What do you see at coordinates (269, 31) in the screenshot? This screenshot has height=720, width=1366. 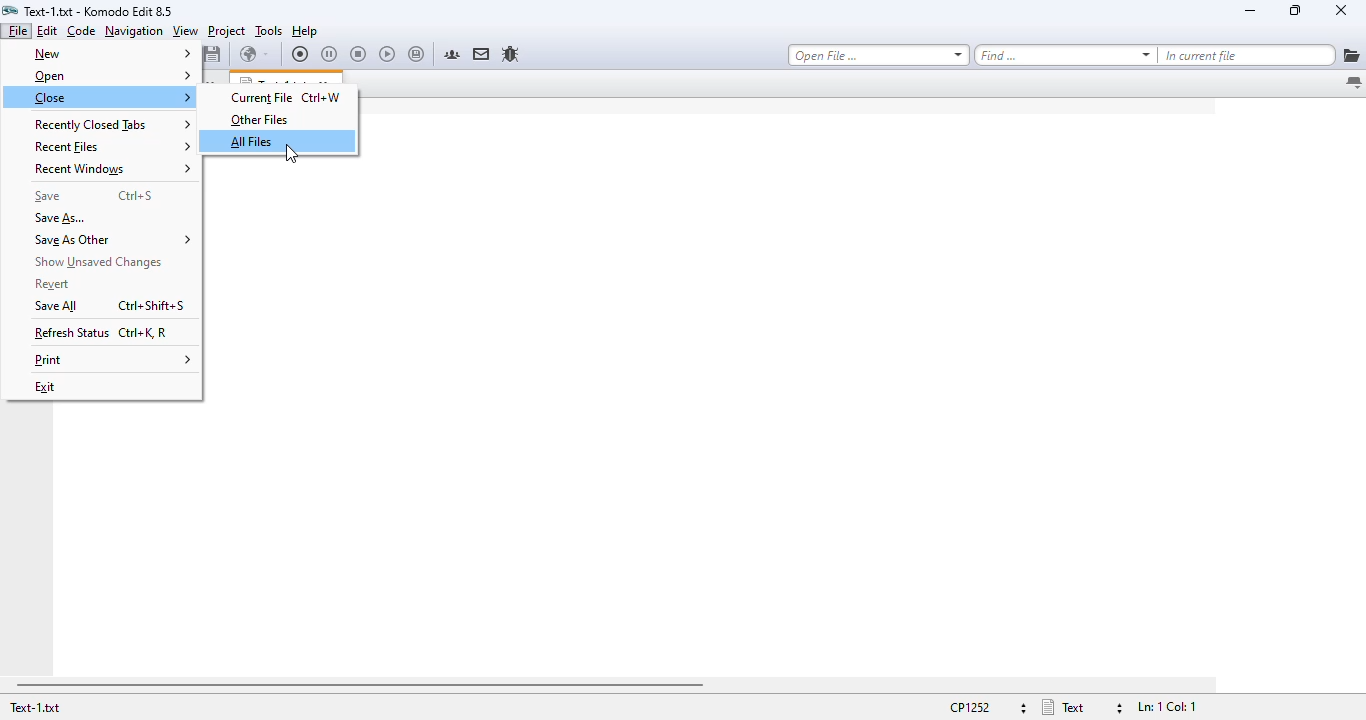 I see `tools` at bounding box center [269, 31].